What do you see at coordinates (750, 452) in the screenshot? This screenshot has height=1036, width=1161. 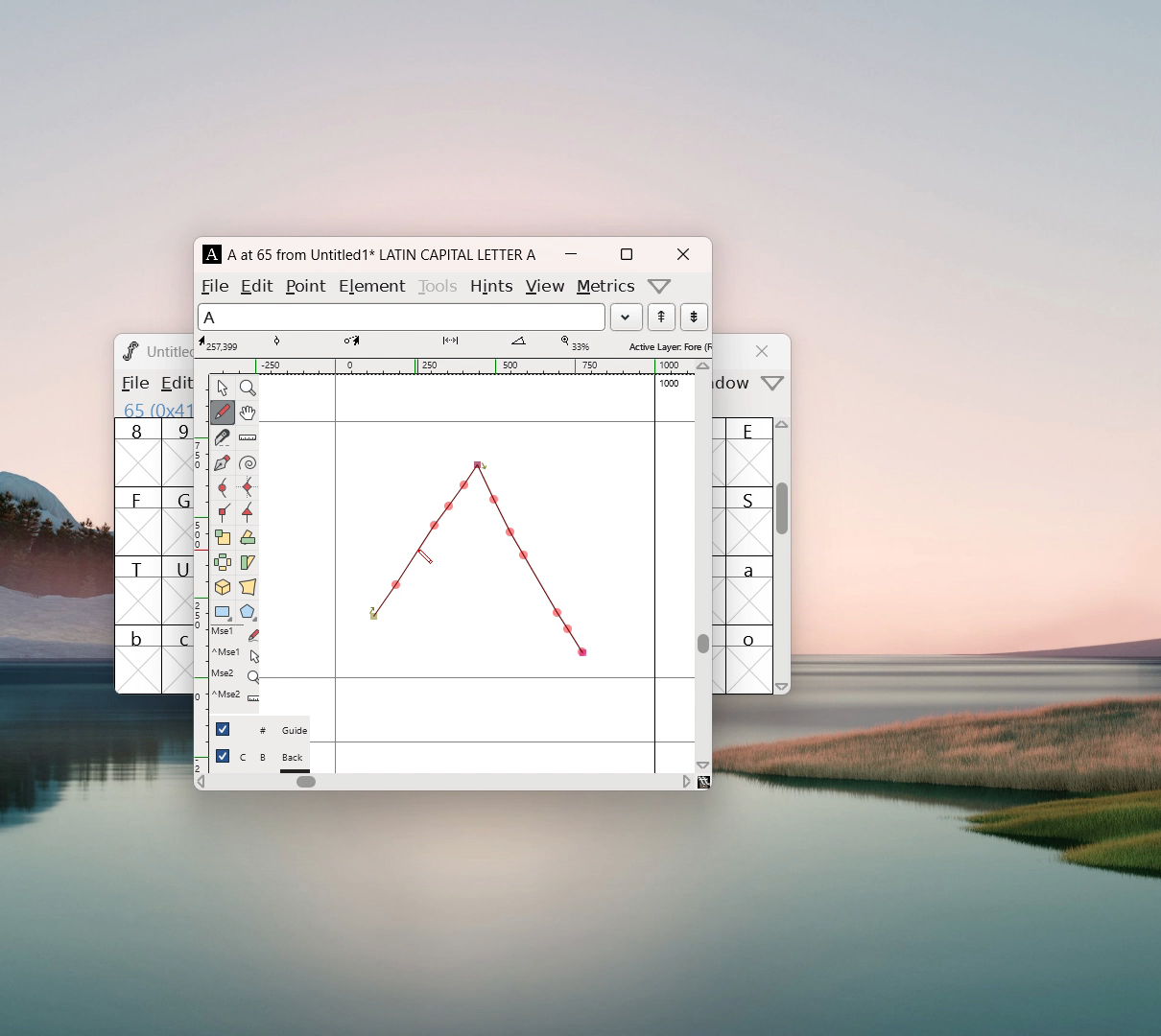 I see `E` at bounding box center [750, 452].